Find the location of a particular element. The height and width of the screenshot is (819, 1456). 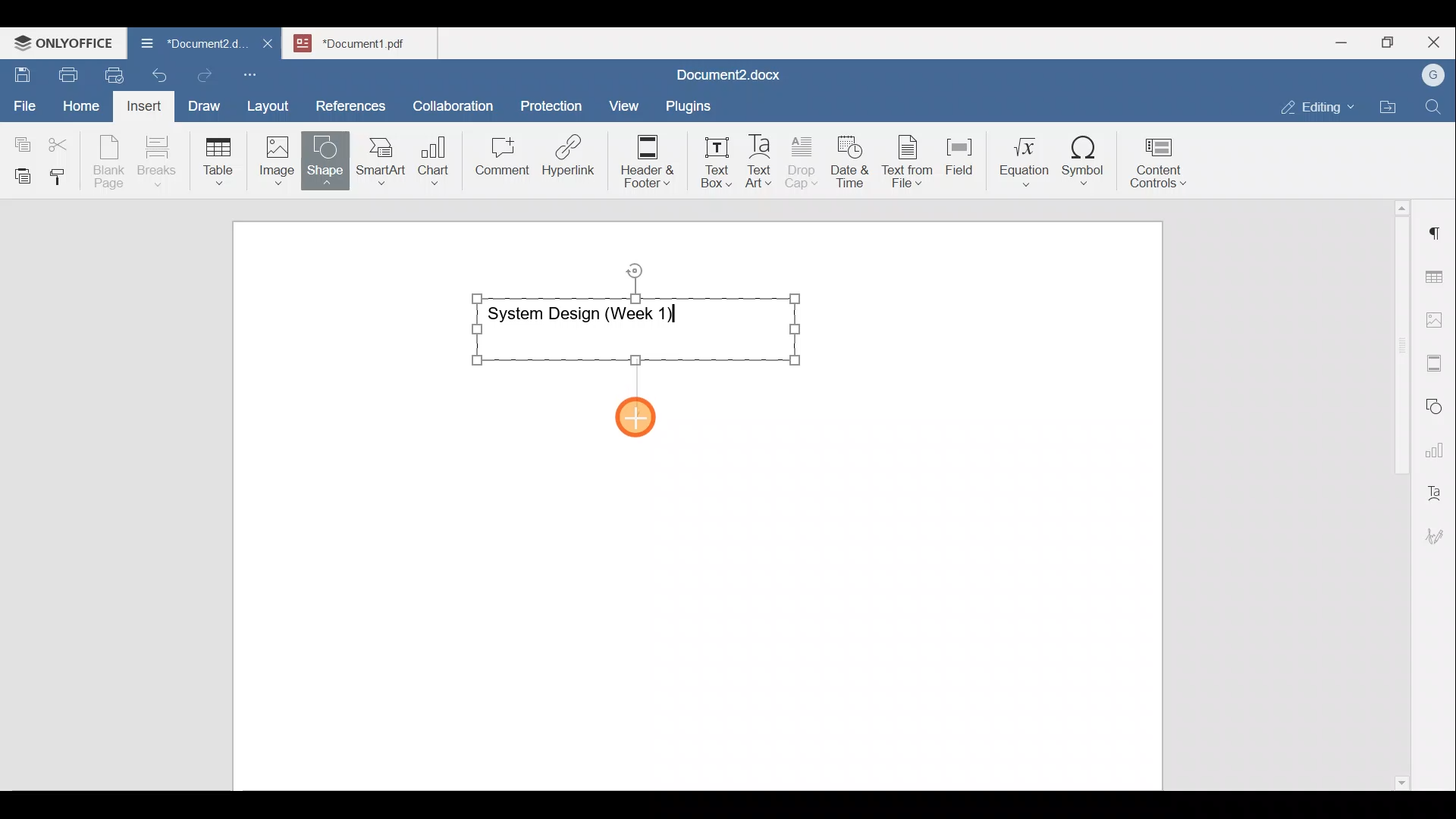

Close is located at coordinates (1436, 43).